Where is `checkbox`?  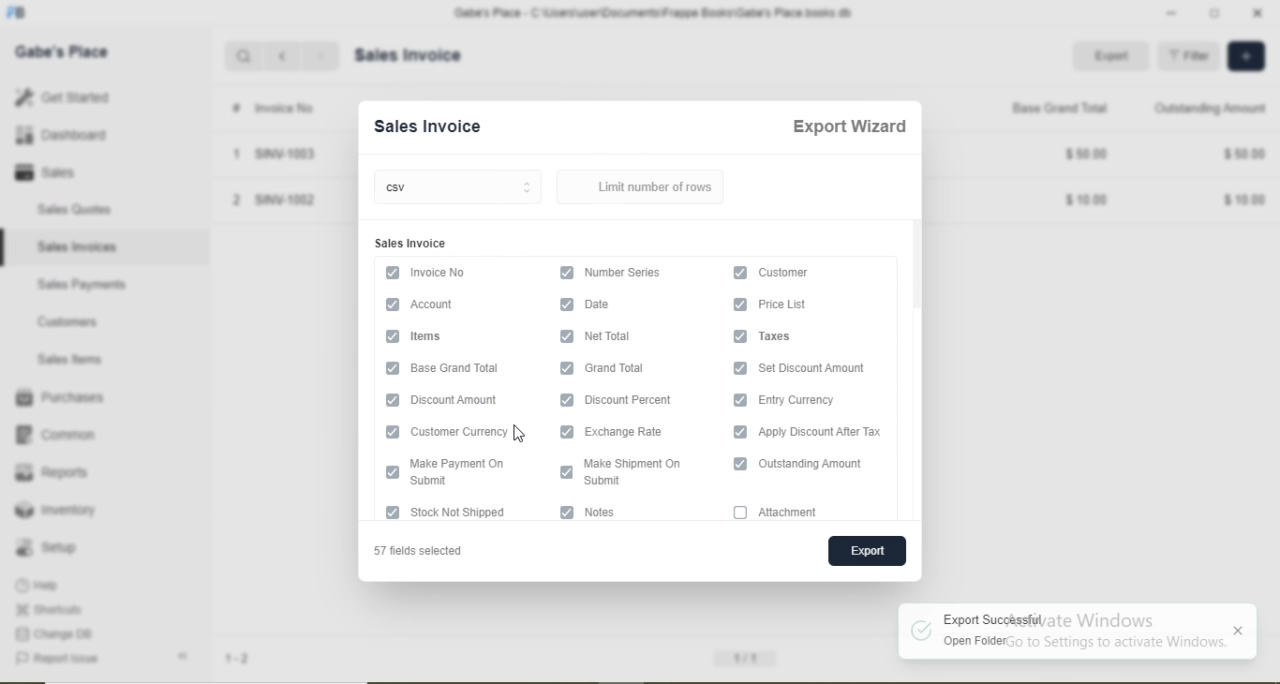
checkbox is located at coordinates (567, 336).